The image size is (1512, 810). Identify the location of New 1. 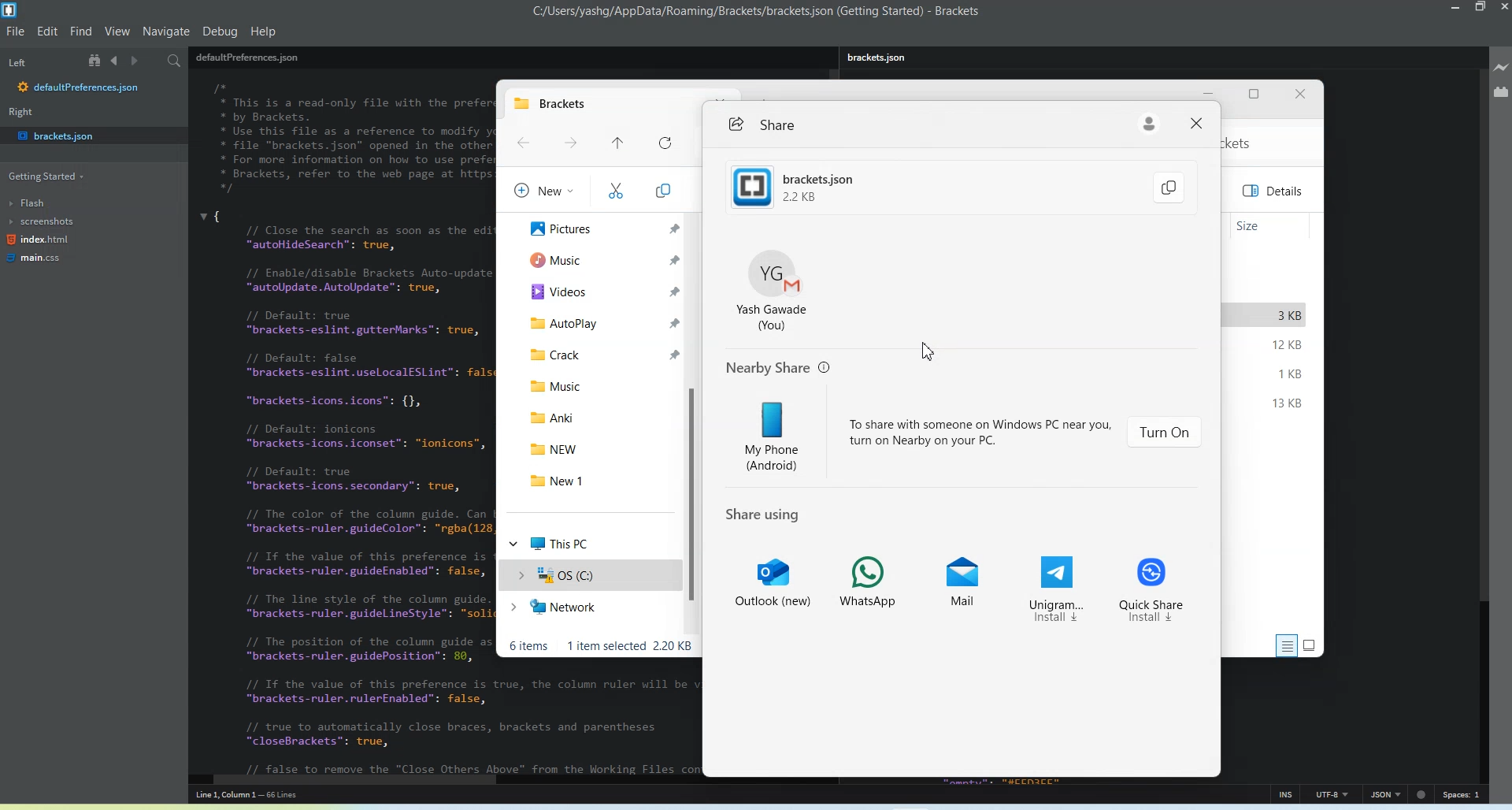
(600, 480).